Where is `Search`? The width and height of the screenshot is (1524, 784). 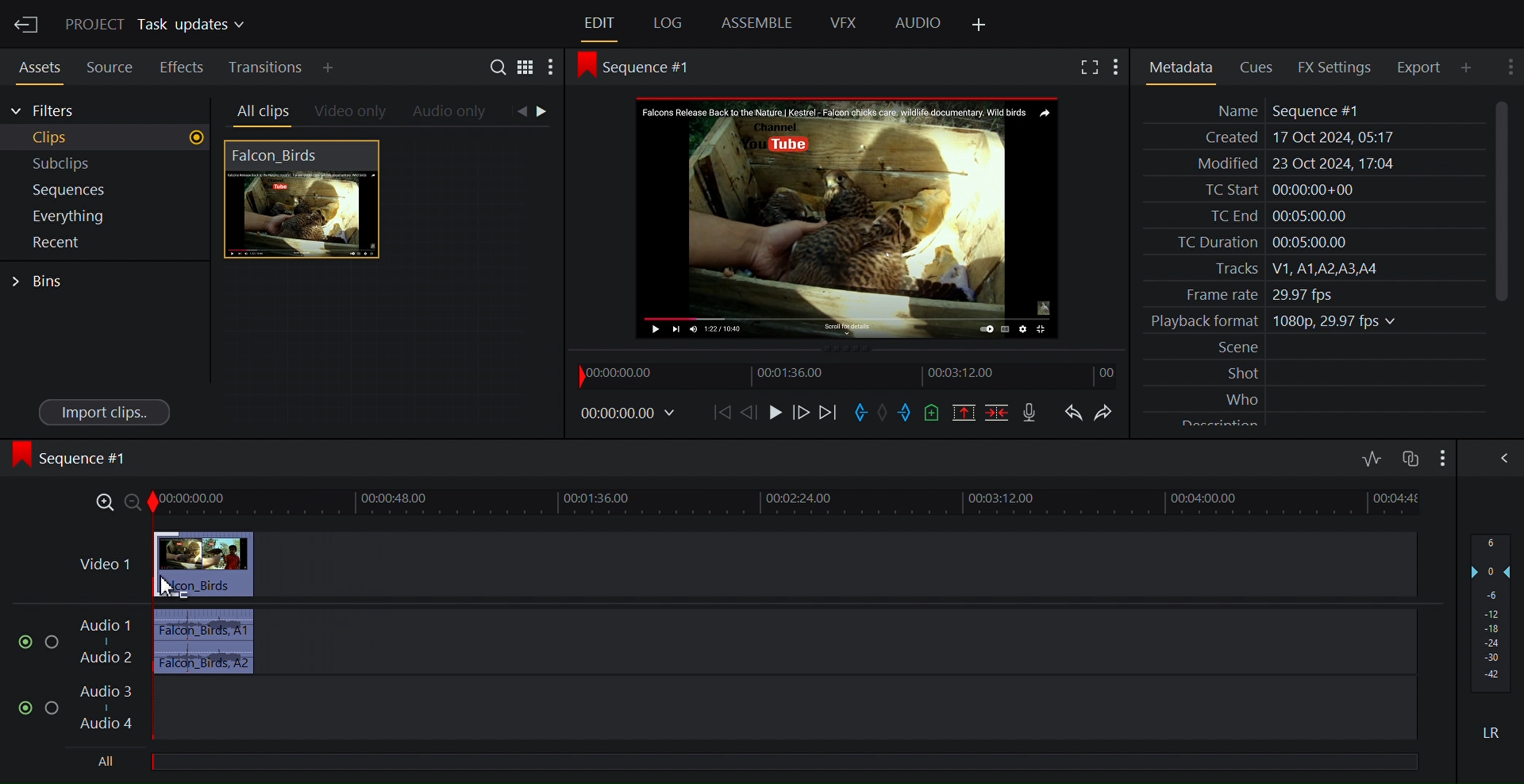
Search is located at coordinates (501, 69).